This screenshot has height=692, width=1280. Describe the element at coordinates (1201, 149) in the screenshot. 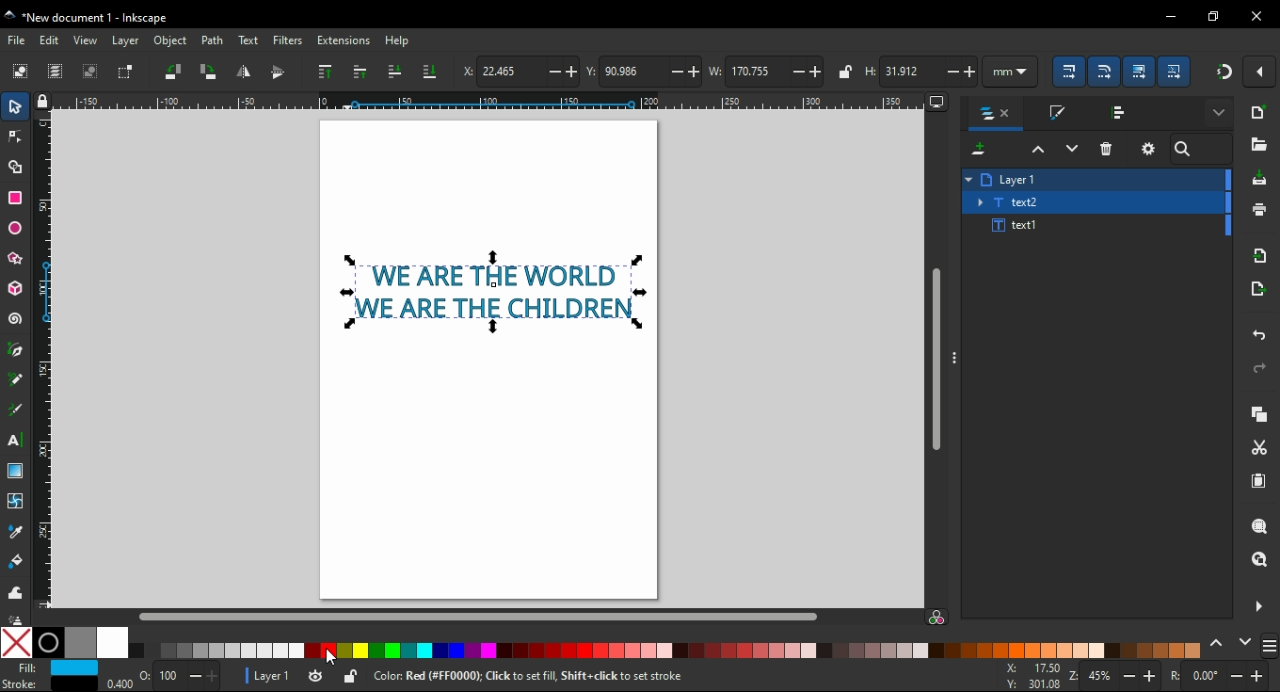

I see `search bar` at that location.